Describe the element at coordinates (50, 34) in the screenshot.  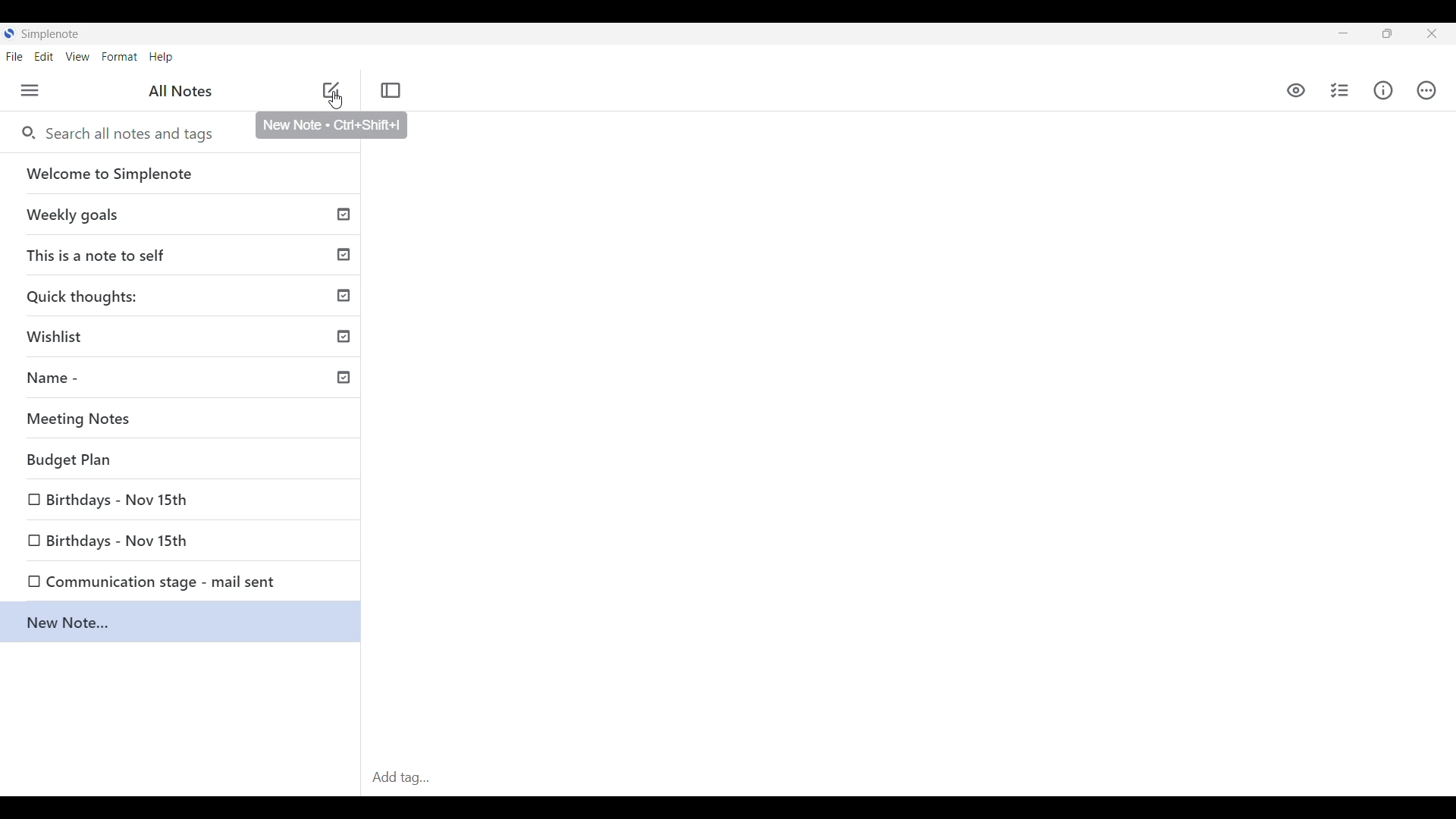
I see `Software name` at that location.